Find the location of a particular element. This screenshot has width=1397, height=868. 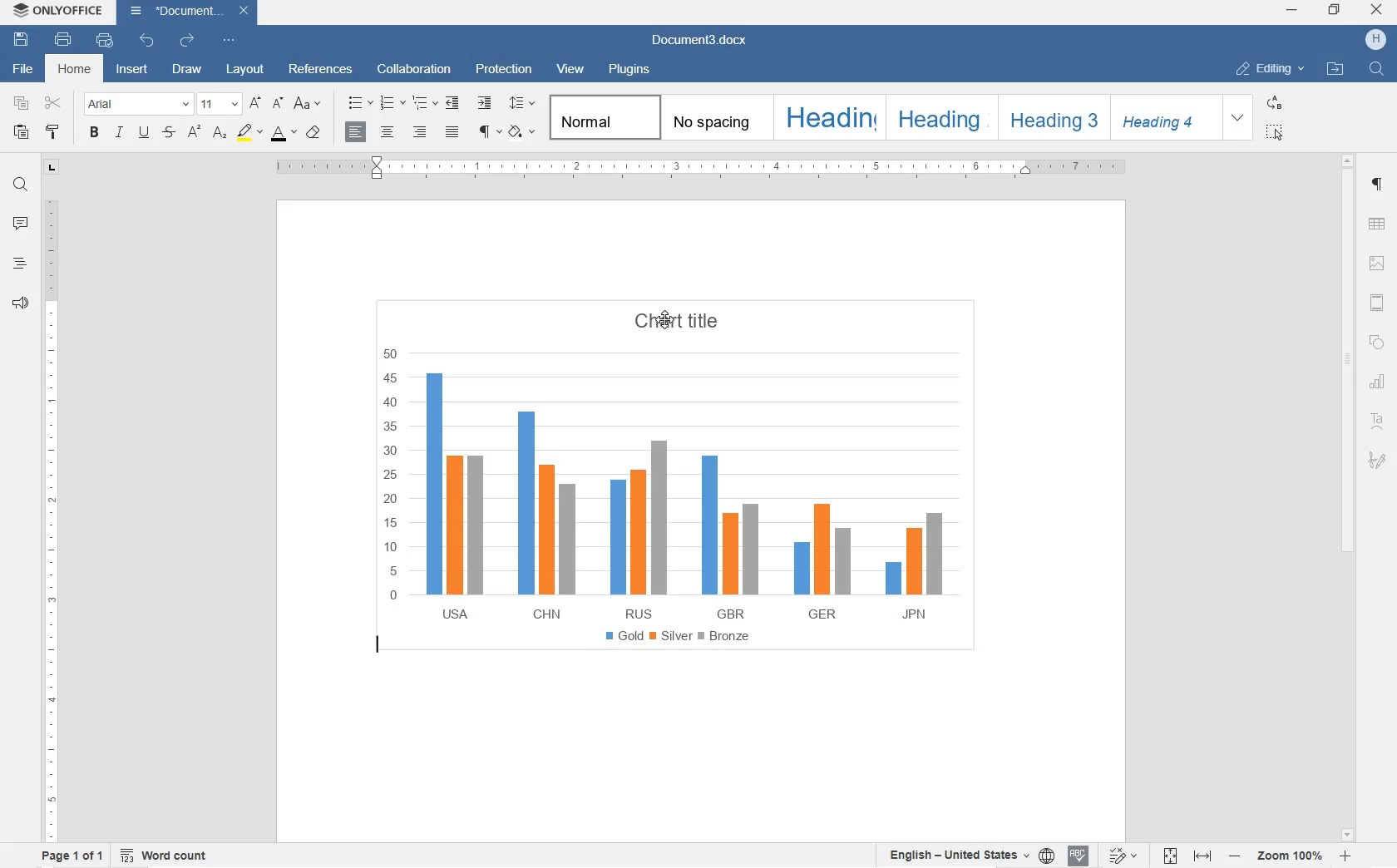

NORMAL is located at coordinates (605, 117).